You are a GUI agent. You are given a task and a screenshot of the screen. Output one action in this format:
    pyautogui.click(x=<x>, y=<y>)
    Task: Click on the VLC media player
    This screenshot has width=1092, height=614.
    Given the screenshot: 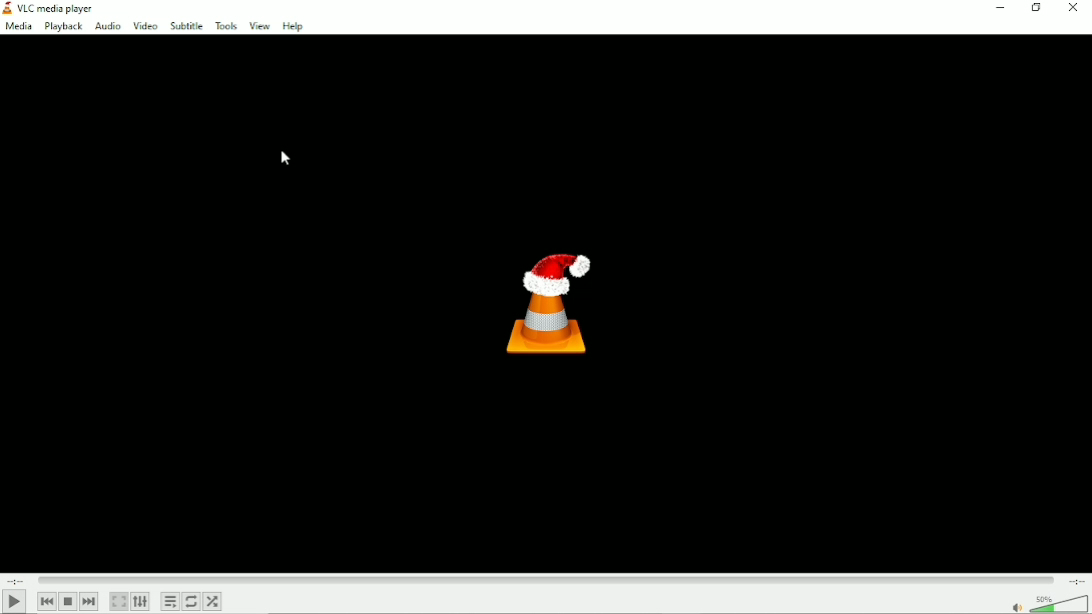 What is the action you would take?
    pyautogui.click(x=61, y=7)
    